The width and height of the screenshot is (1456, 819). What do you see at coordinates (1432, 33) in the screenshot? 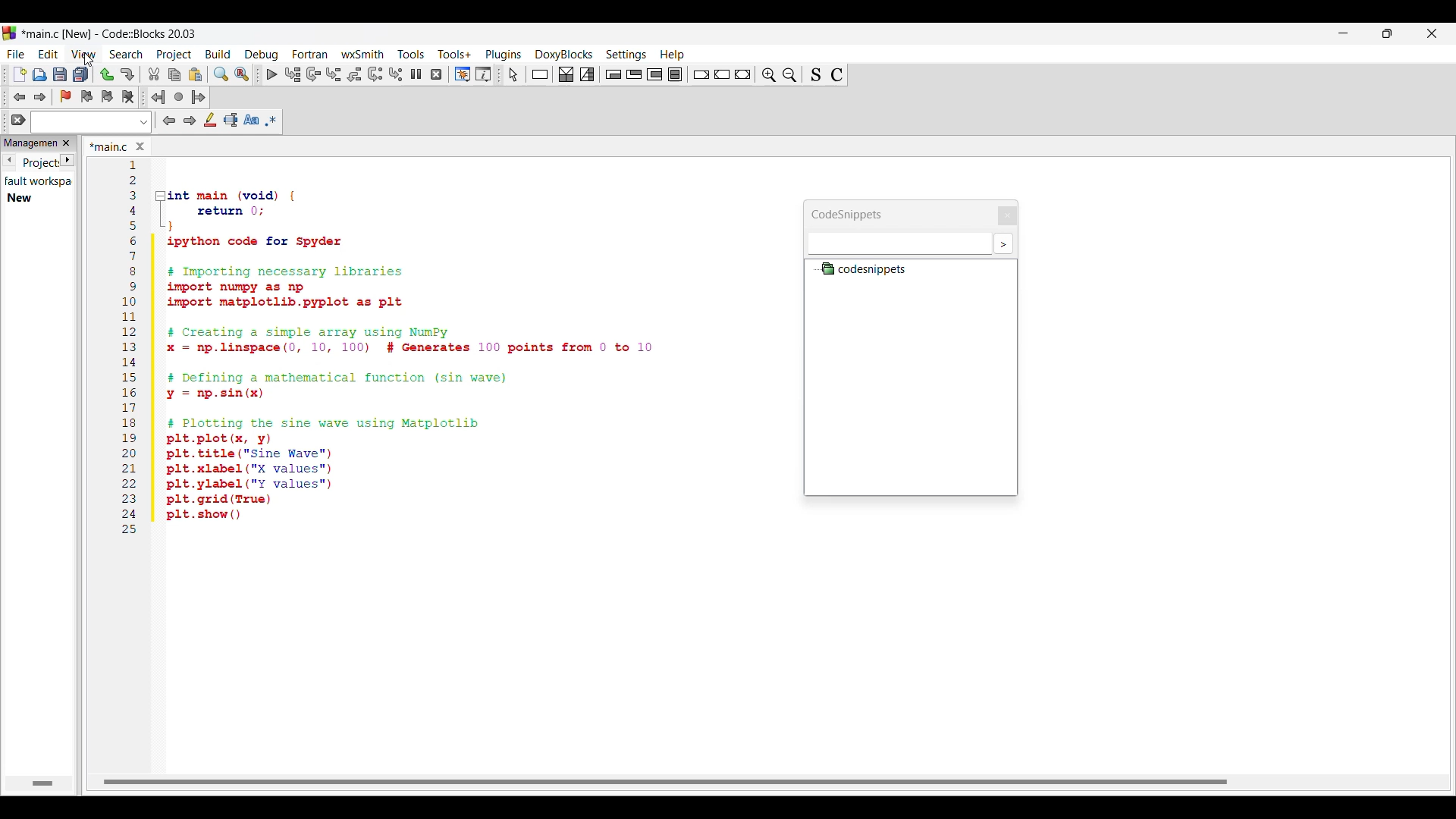
I see `Close interface` at bounding box center [1432, 33].